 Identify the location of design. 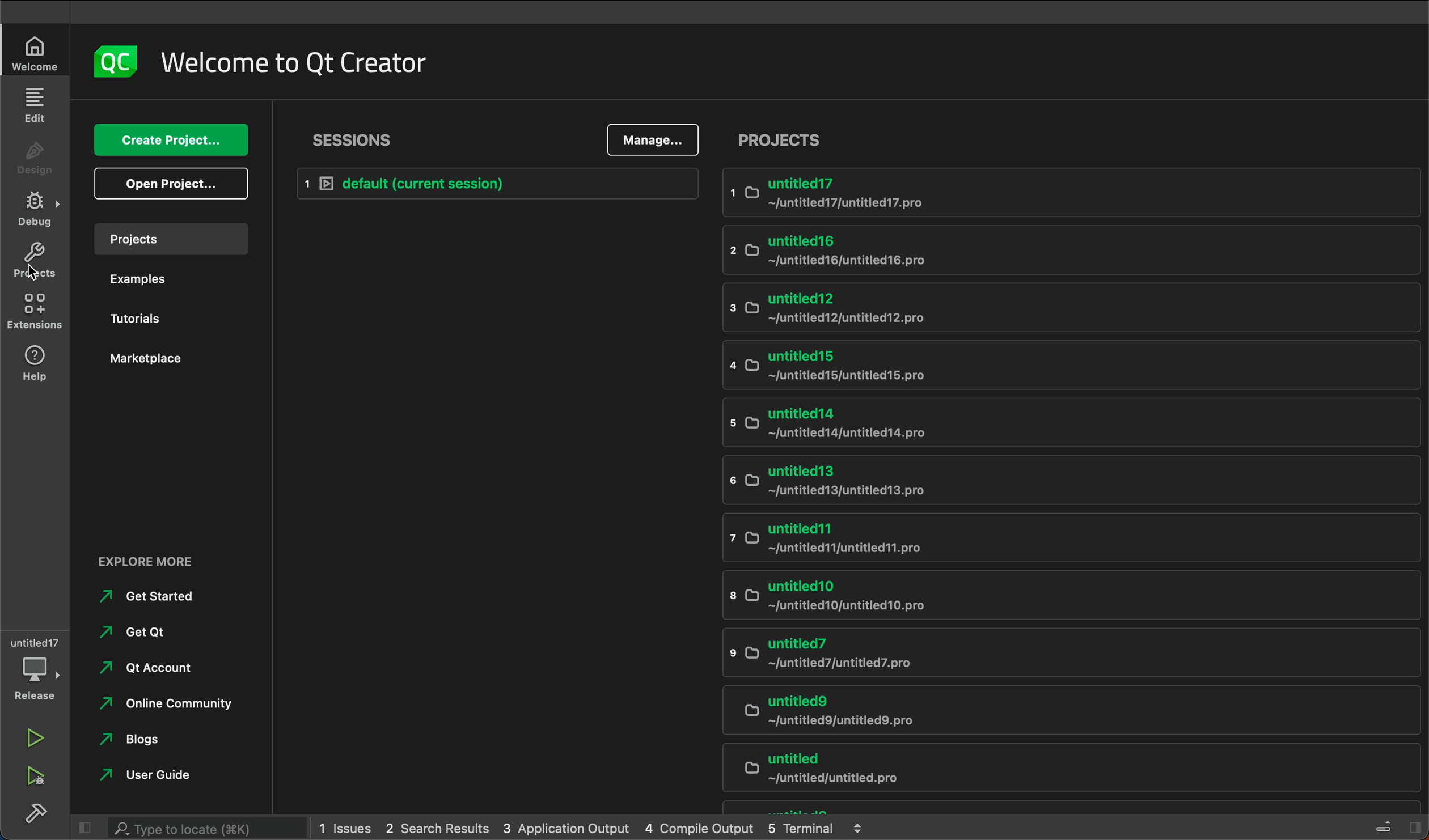
(40, 156).